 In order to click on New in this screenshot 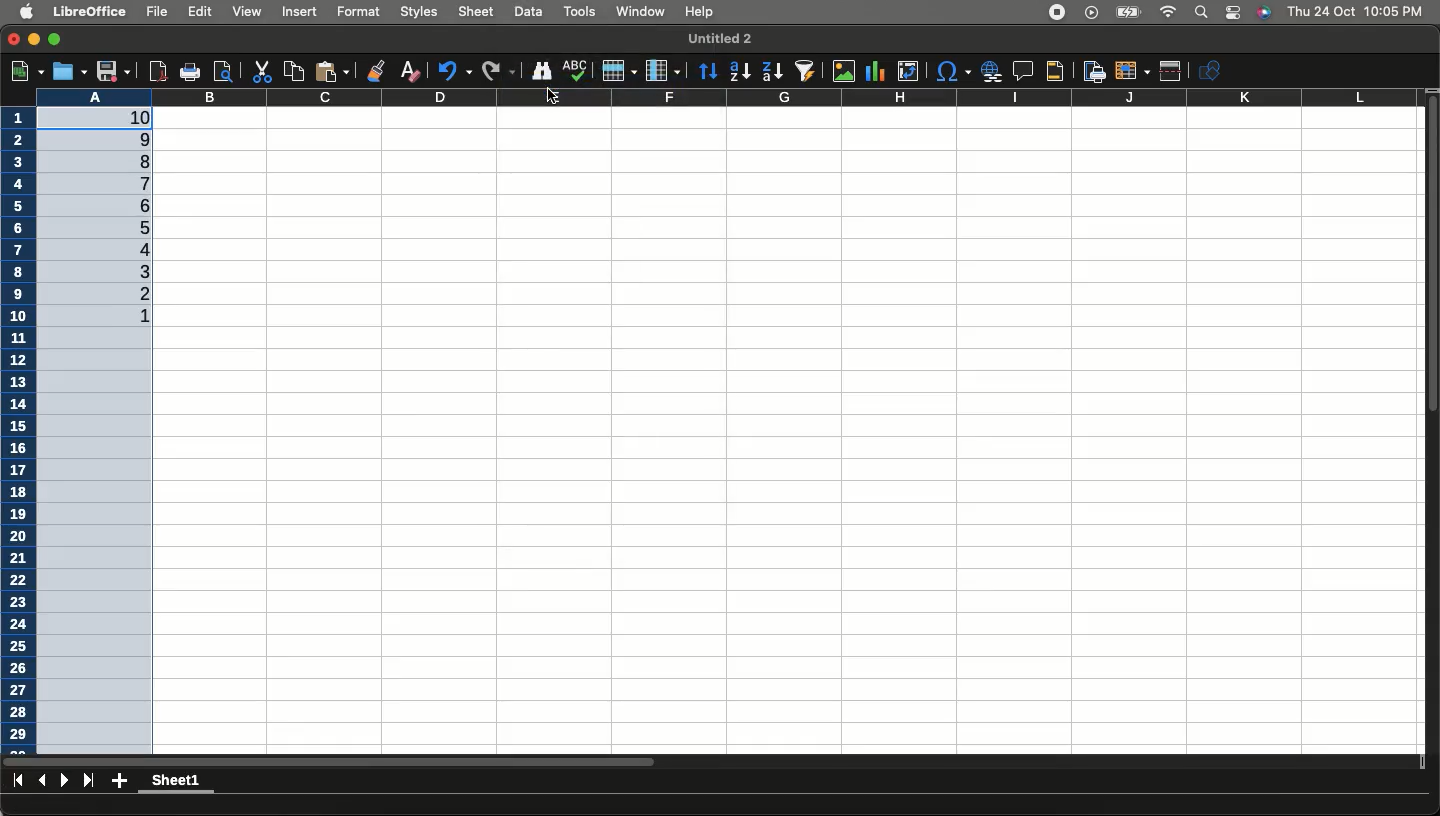, I will do `click(25, 69)`.